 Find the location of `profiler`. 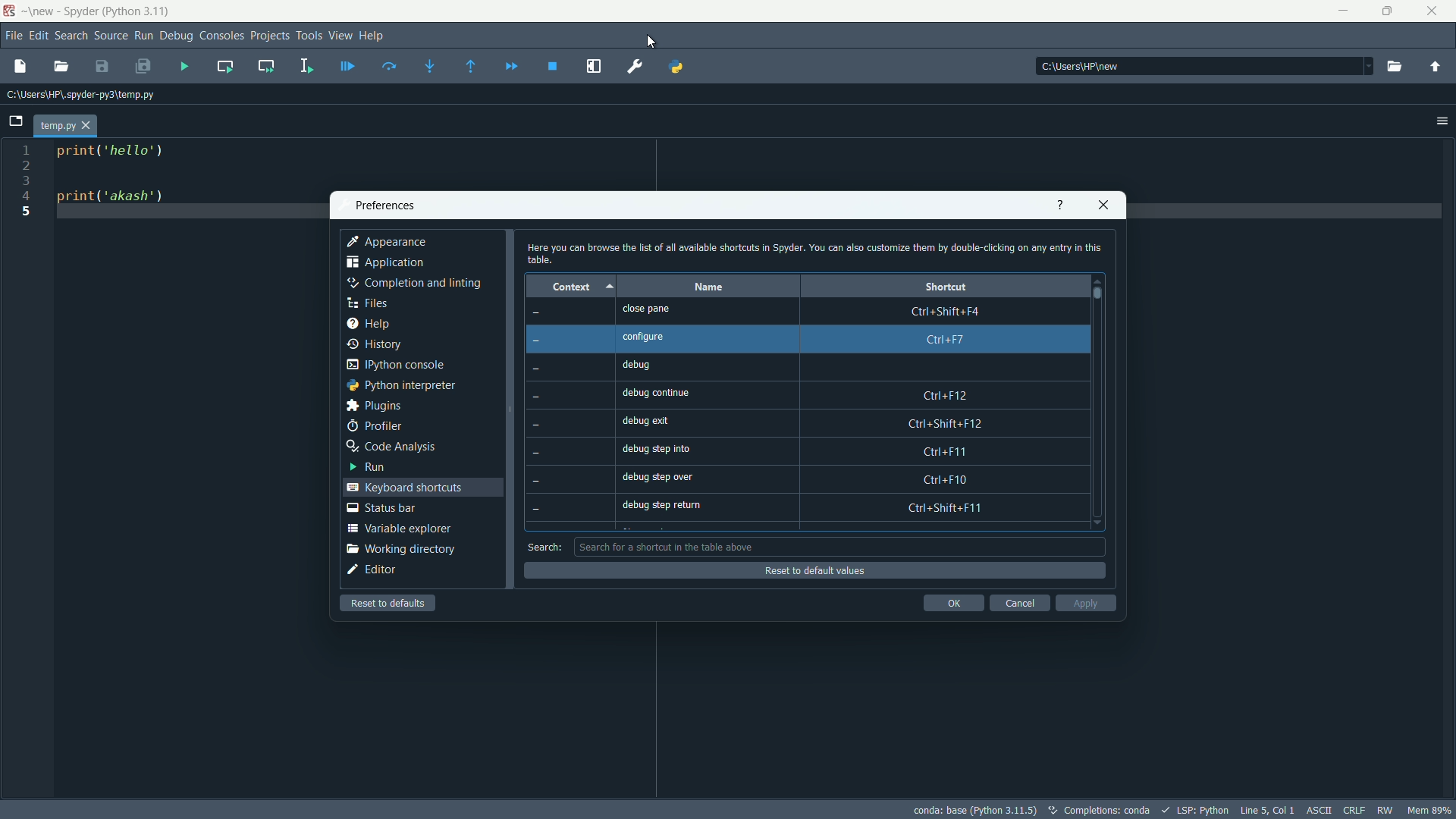

profiler is located at coordinates (374, 426).